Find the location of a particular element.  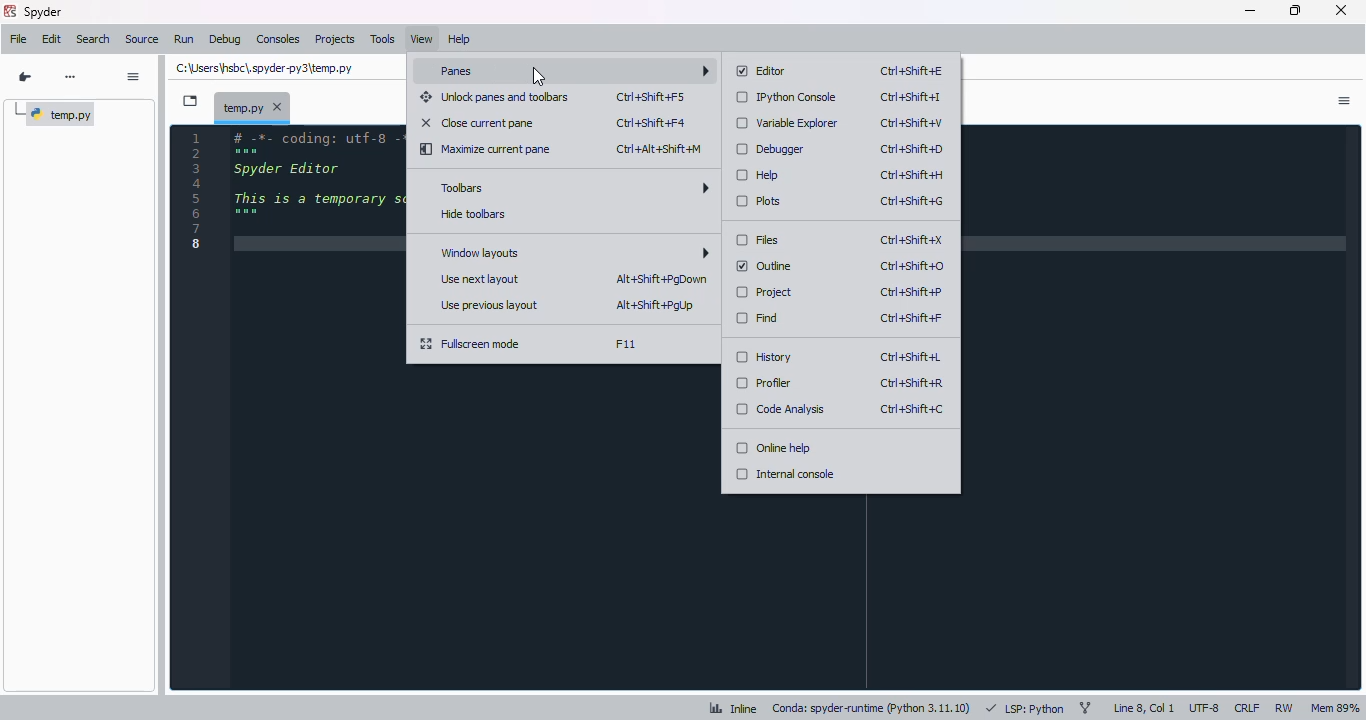

close is located at coordinates (1343, 10).